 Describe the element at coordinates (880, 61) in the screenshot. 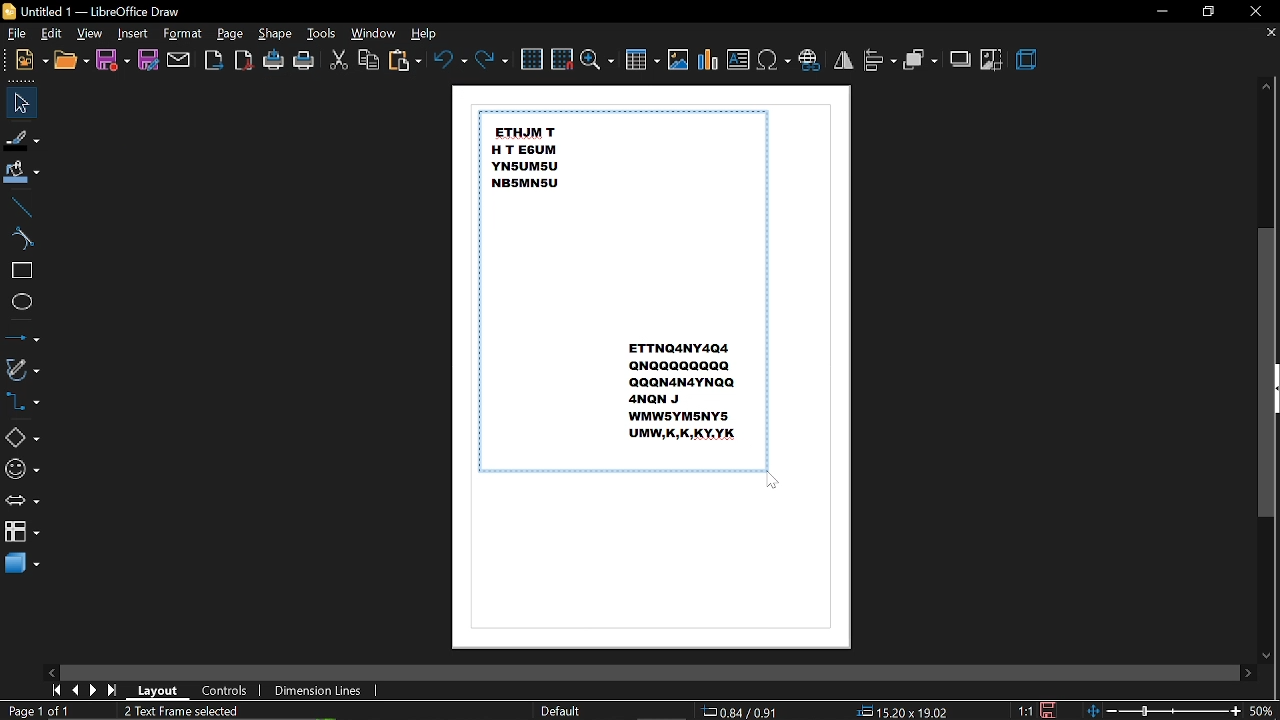

I see `align` at that location.